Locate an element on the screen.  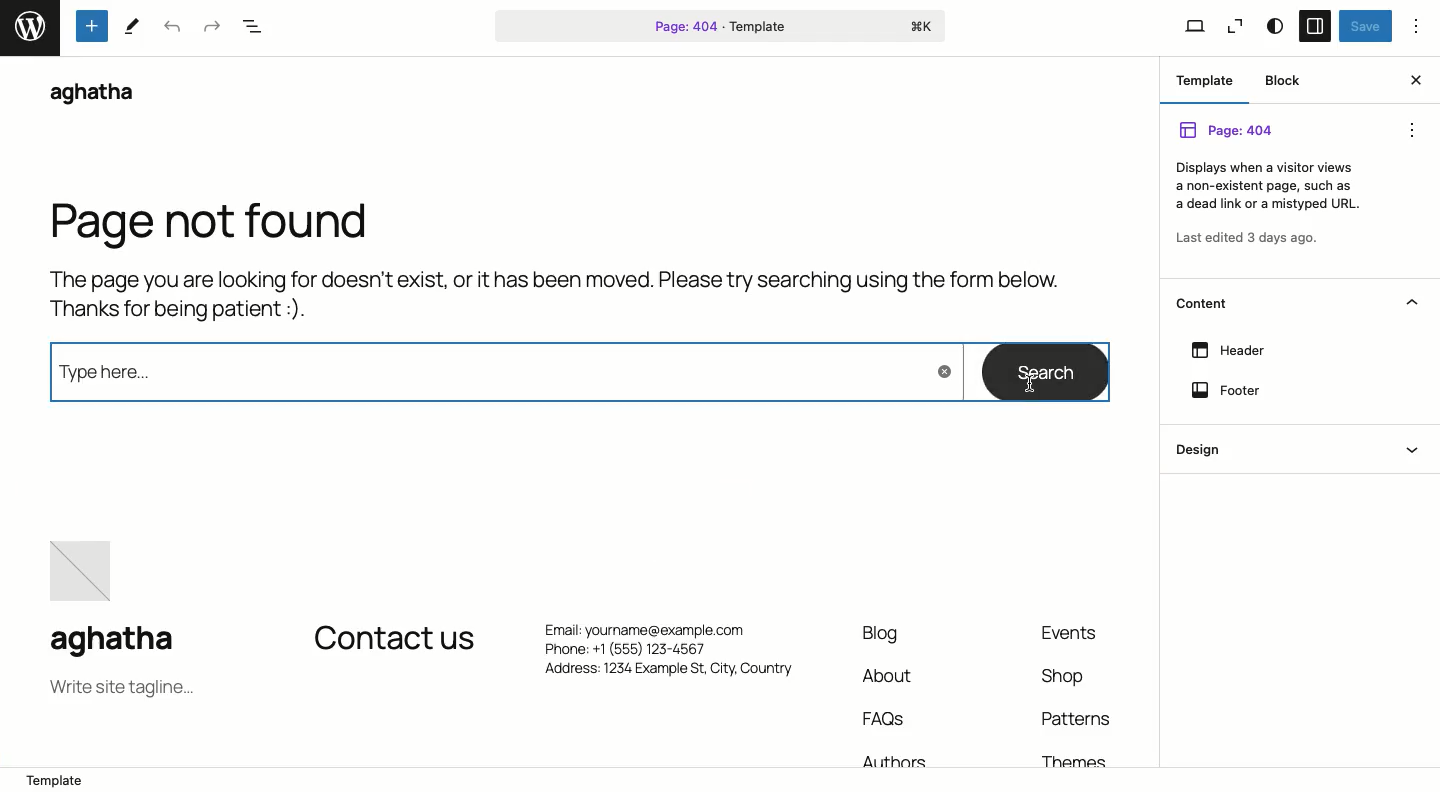
Zoom out is located at coordinates (1237, 25).